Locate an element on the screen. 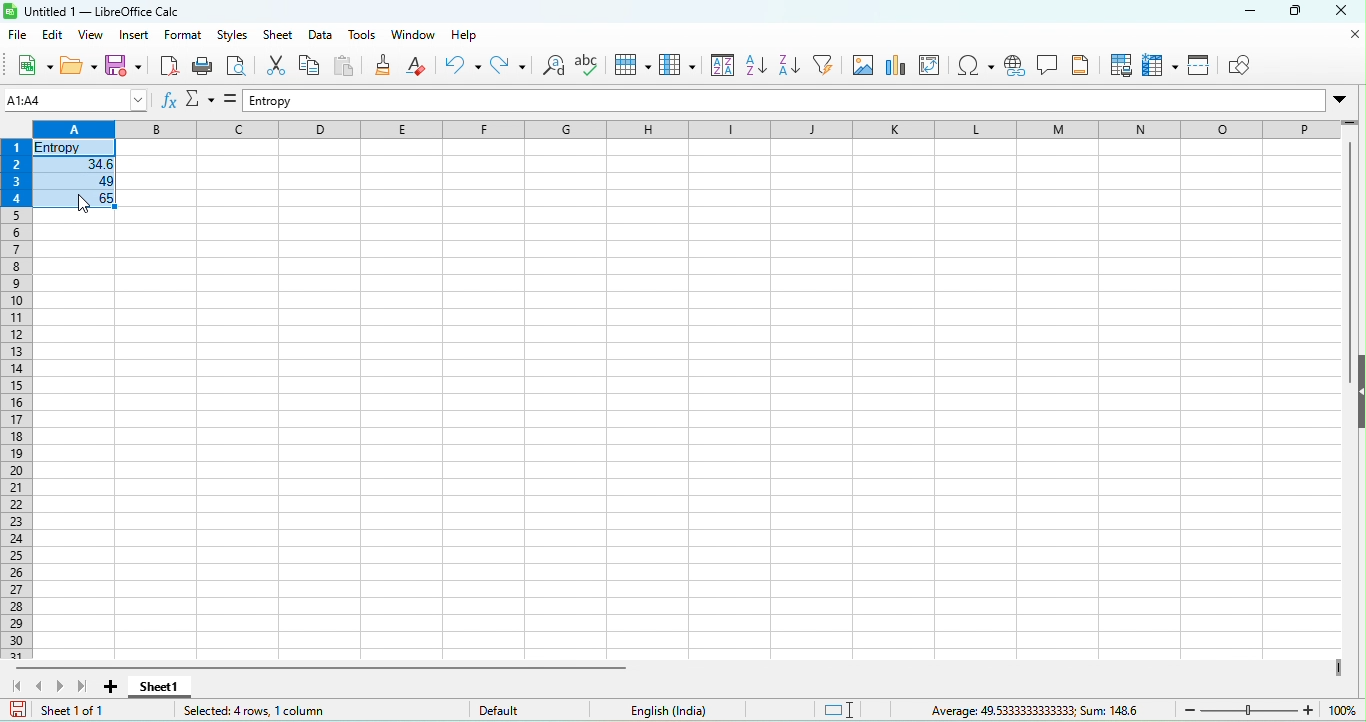 This screenshot has width=1366, height=722. styles is located at coordinates (235, 36).